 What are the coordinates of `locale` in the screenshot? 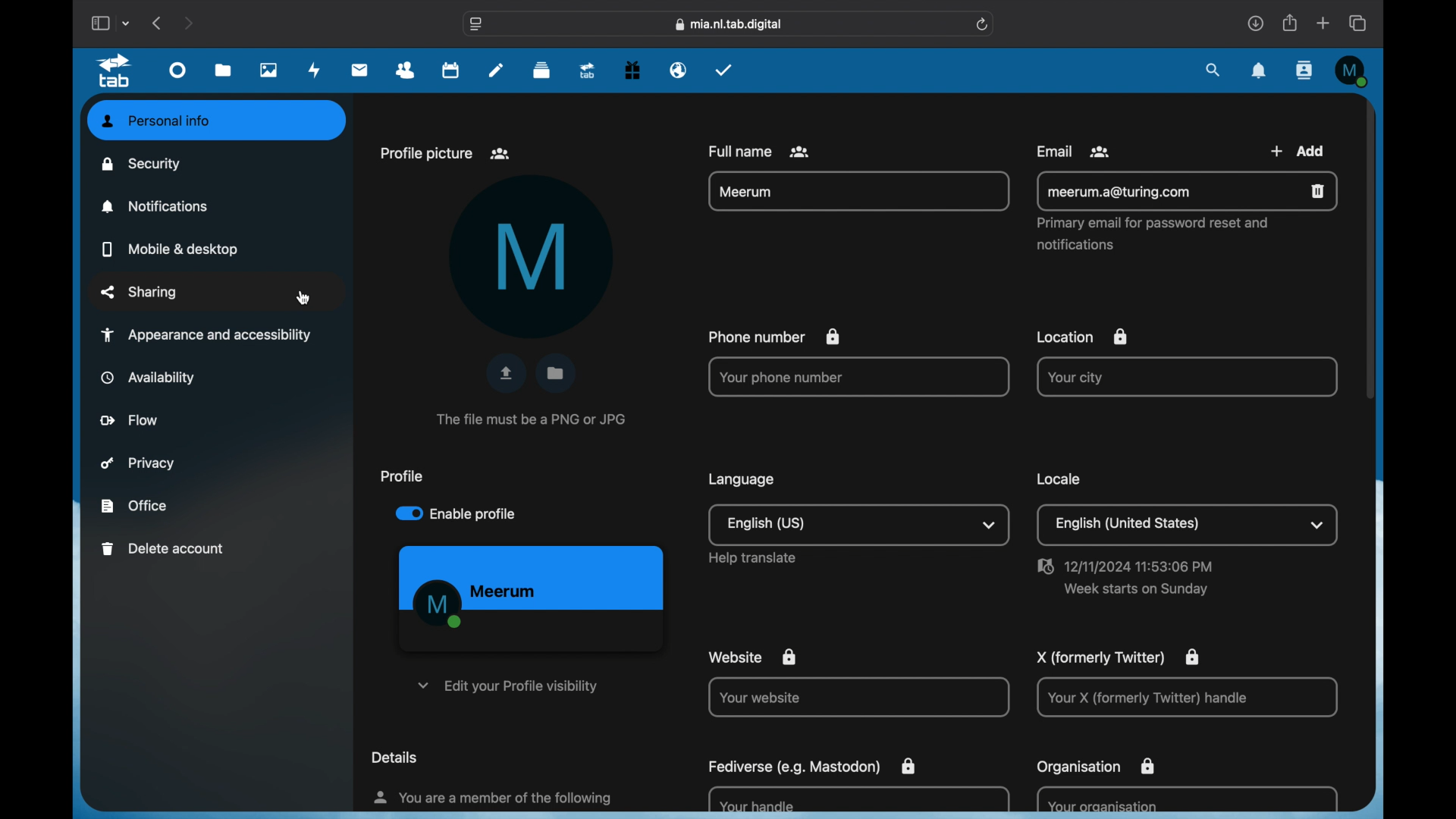 It's located at (1093, 481).